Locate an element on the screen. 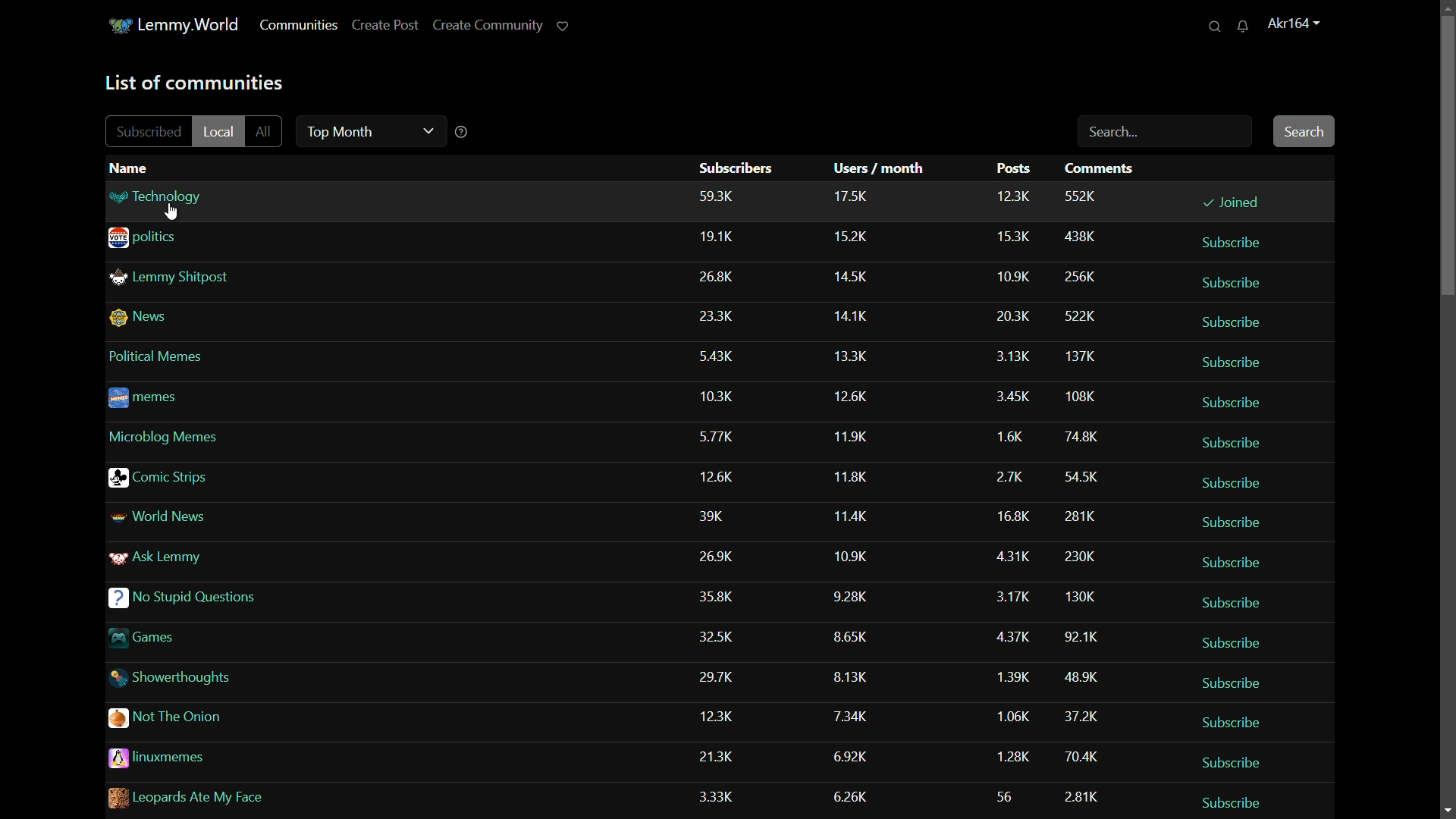 Image resolution: width=1456 pixels, height=819 pixels. subscribe/unsubscribe is located at coordinates (1236, 399).